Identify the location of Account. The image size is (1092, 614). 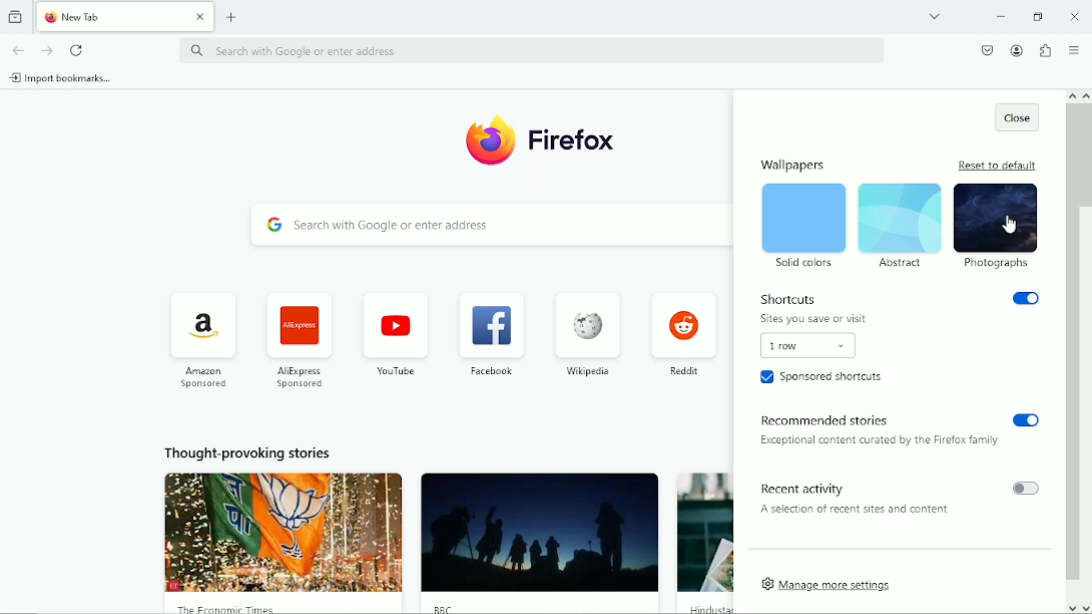
(1017, 49).